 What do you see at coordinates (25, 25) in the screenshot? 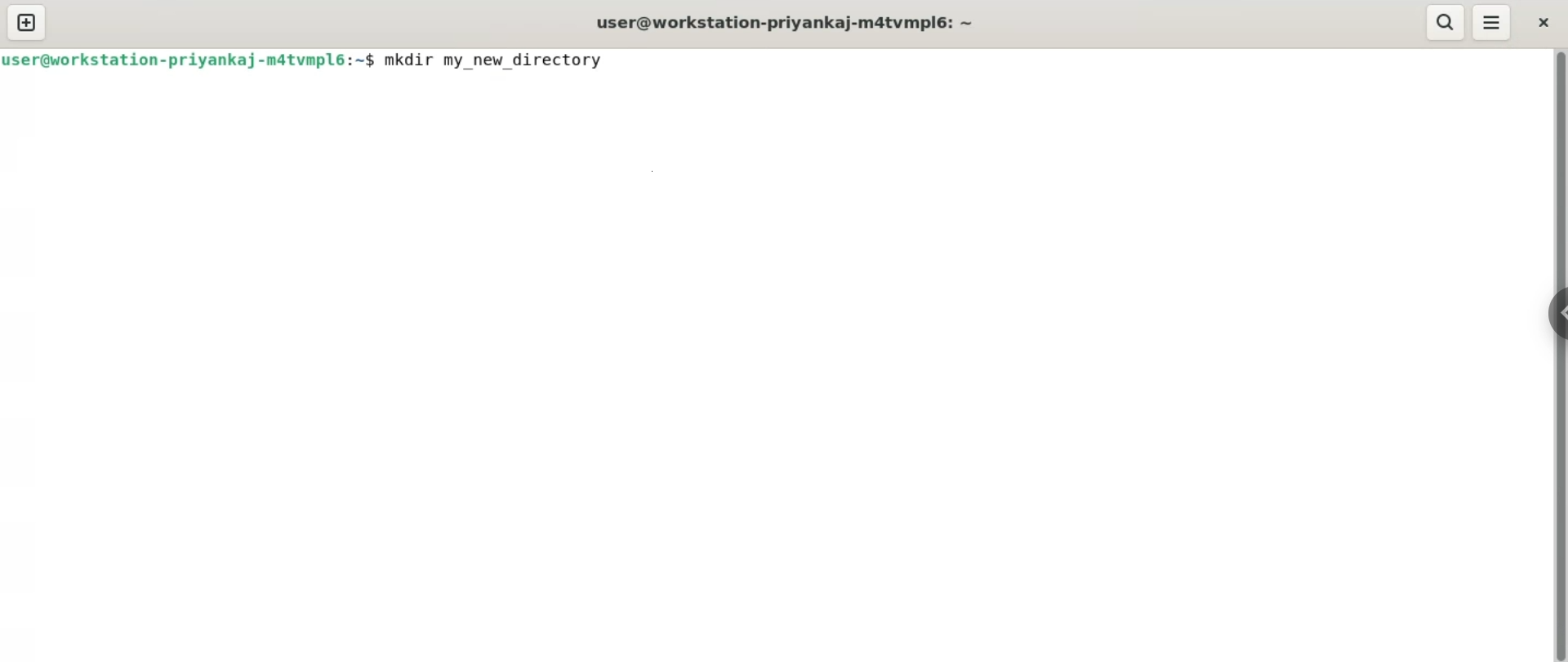
I see `new tab` at bounding box center [25, 25].